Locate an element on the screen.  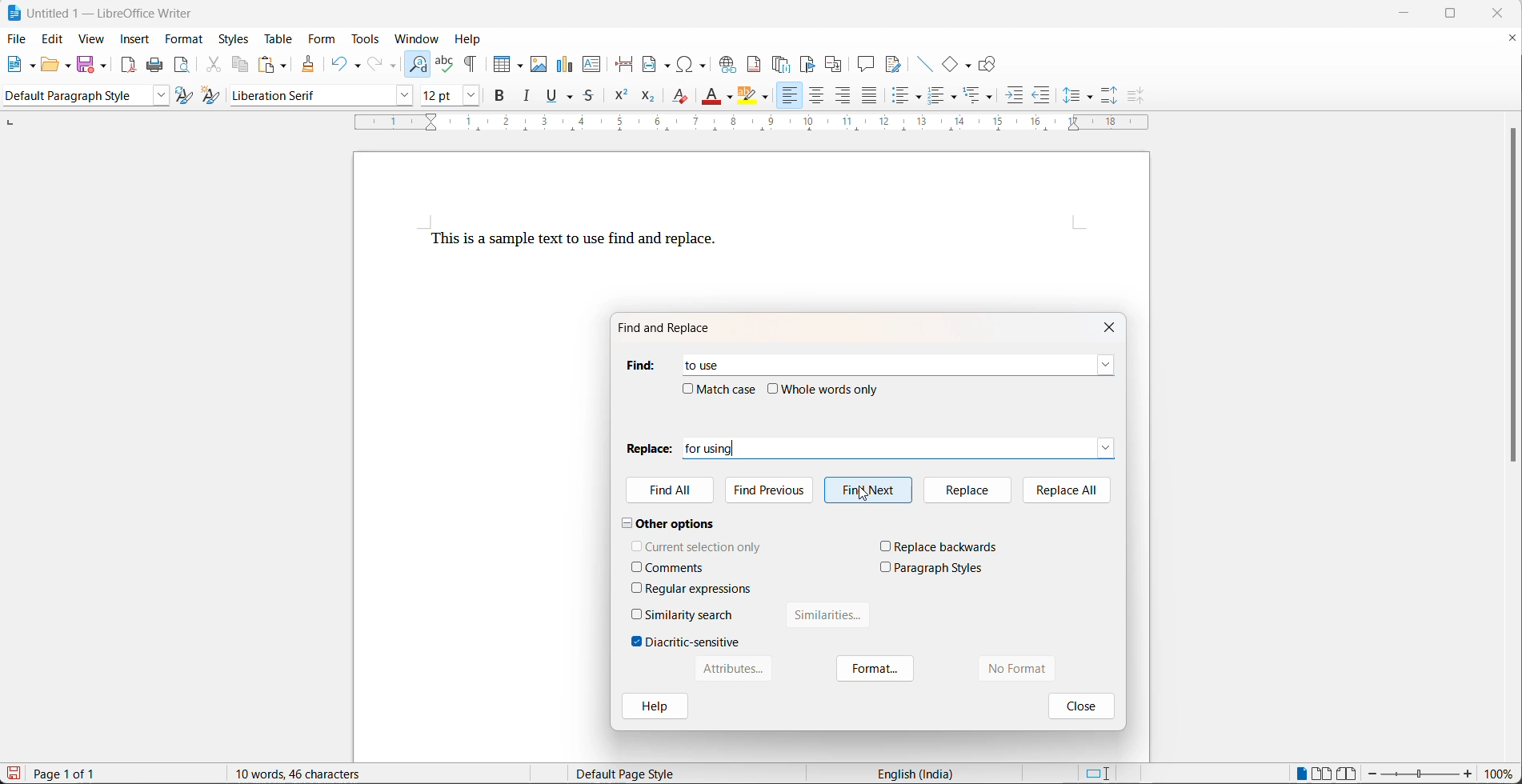
save is located at coordinates (14, 773).